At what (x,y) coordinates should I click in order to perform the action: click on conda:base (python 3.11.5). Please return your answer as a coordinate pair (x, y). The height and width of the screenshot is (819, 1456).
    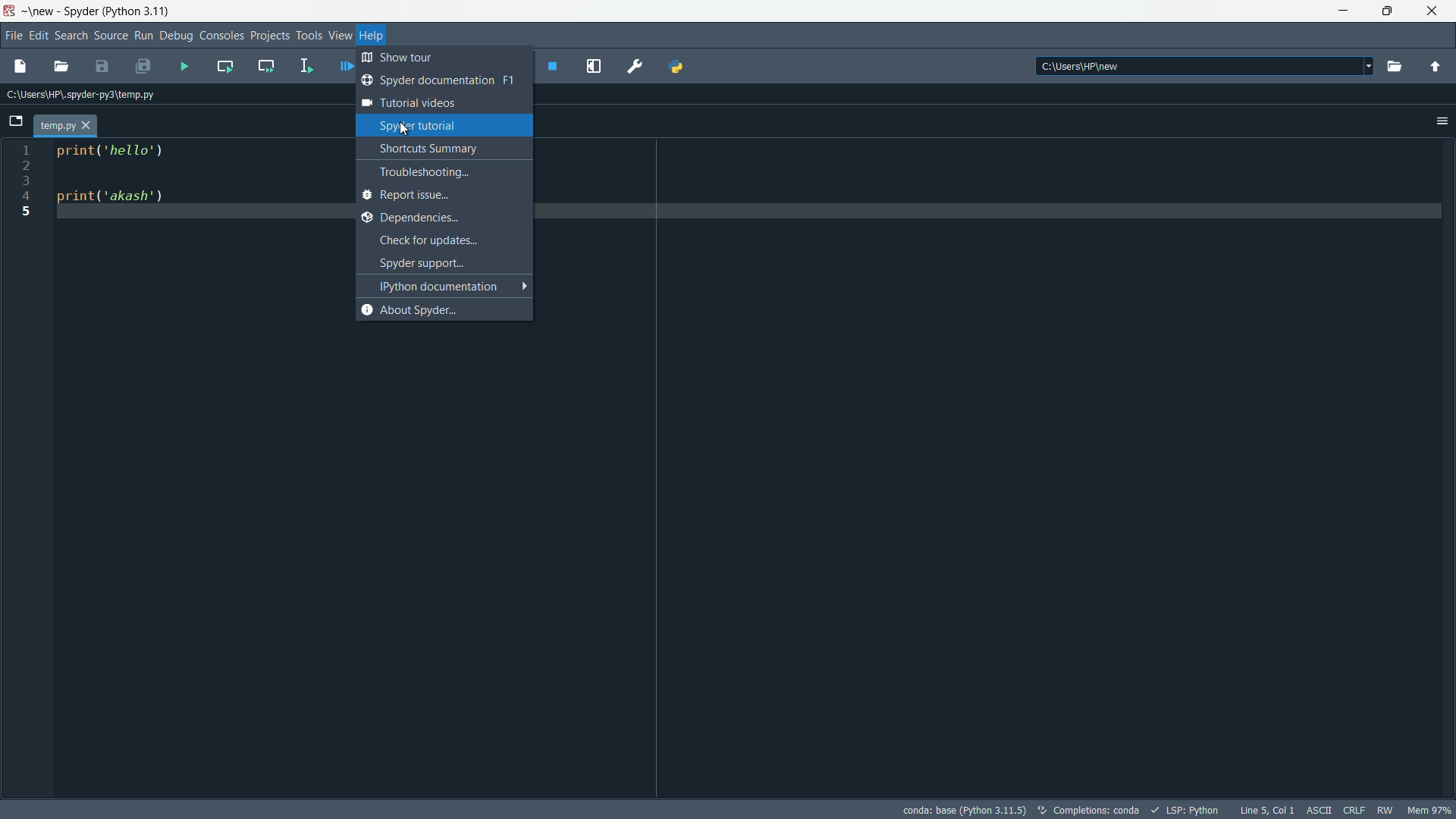
    Looking at the image, I should click on (962, 811).